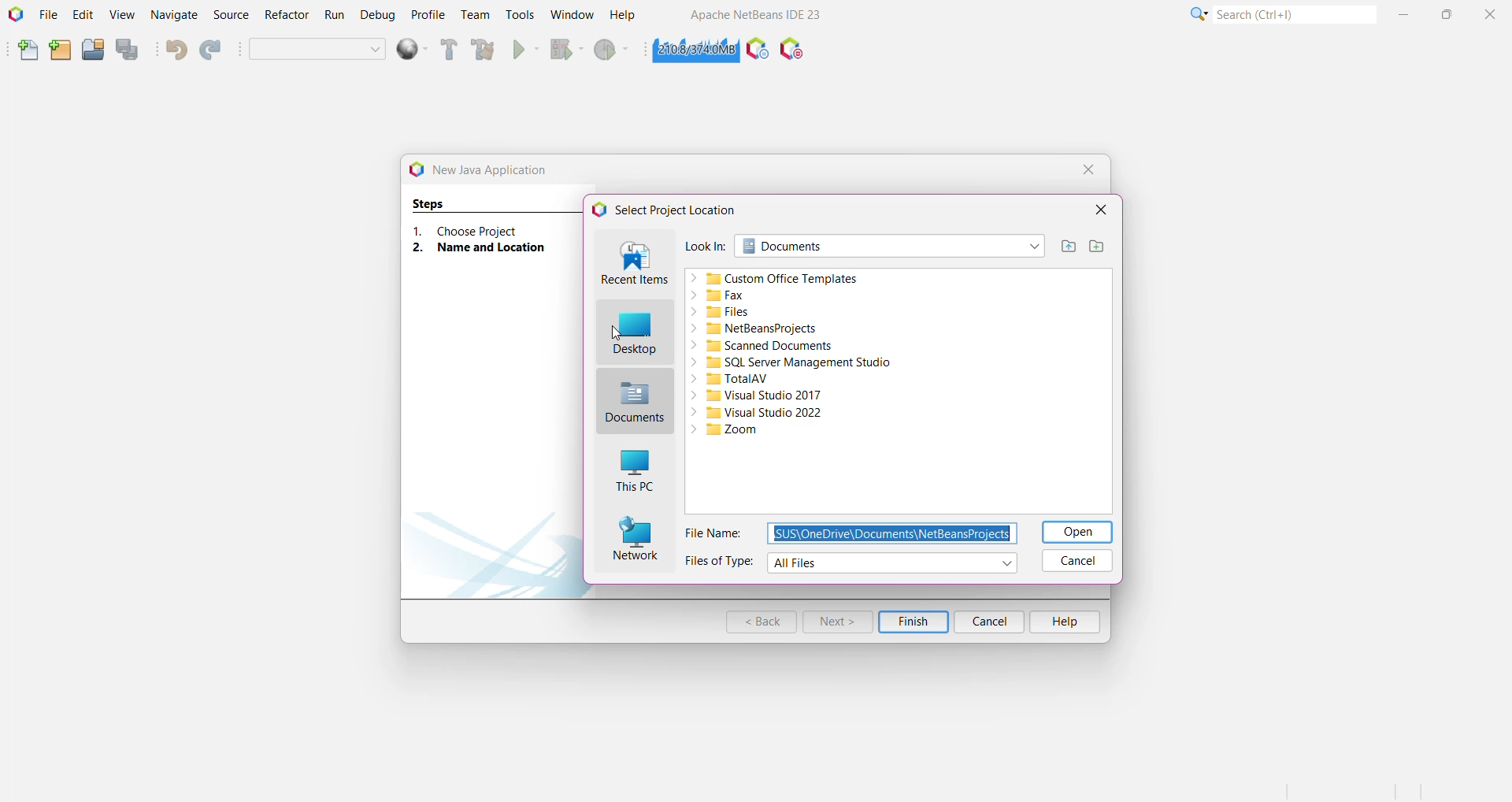  What do you see at coordinates (714, 533) in the screenshot?
I see `File Name` at bounding box center [714, 533].